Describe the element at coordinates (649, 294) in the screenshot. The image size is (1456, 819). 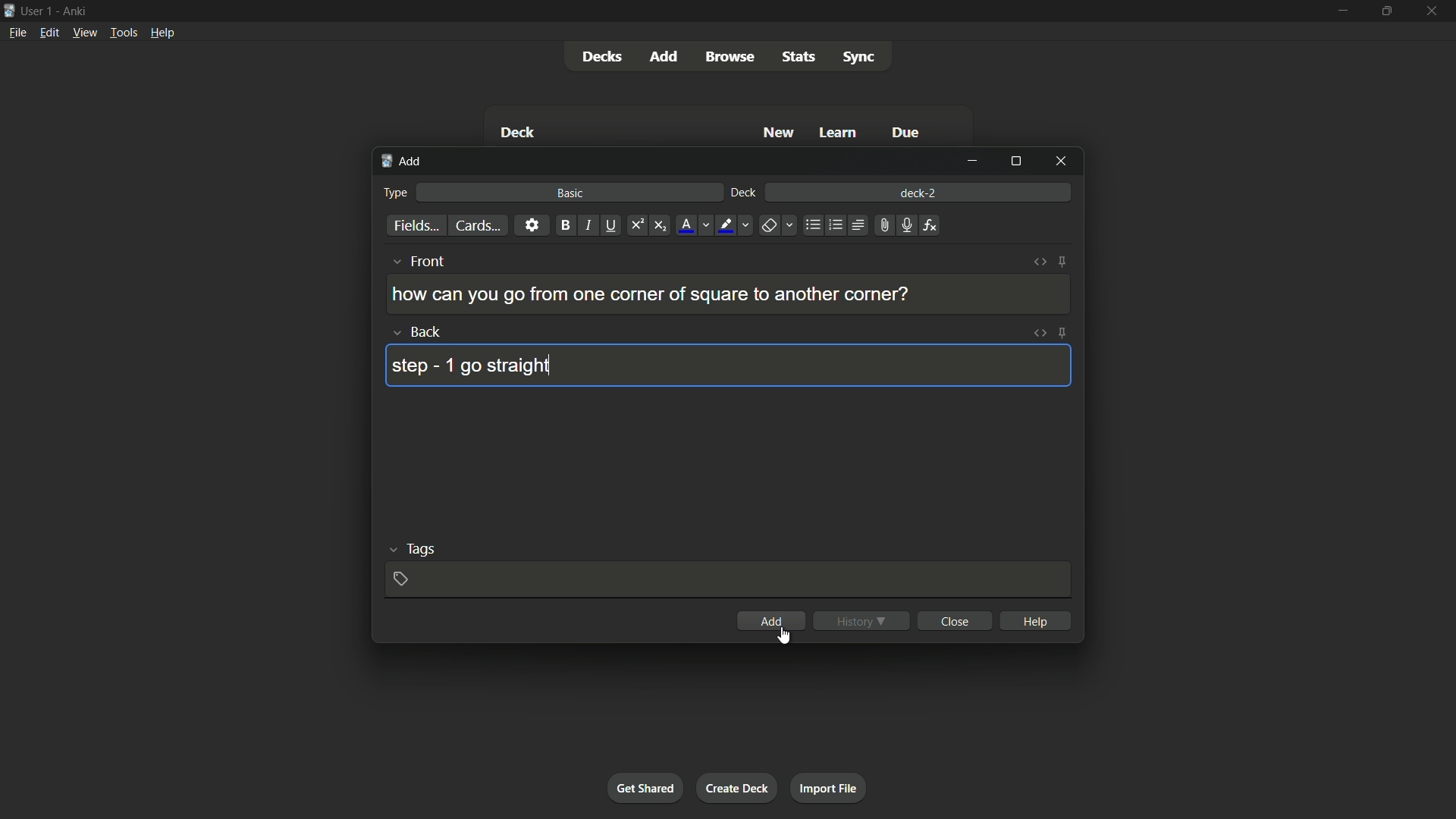
I see `how can you go from one corner of square to another corner?` at that location.